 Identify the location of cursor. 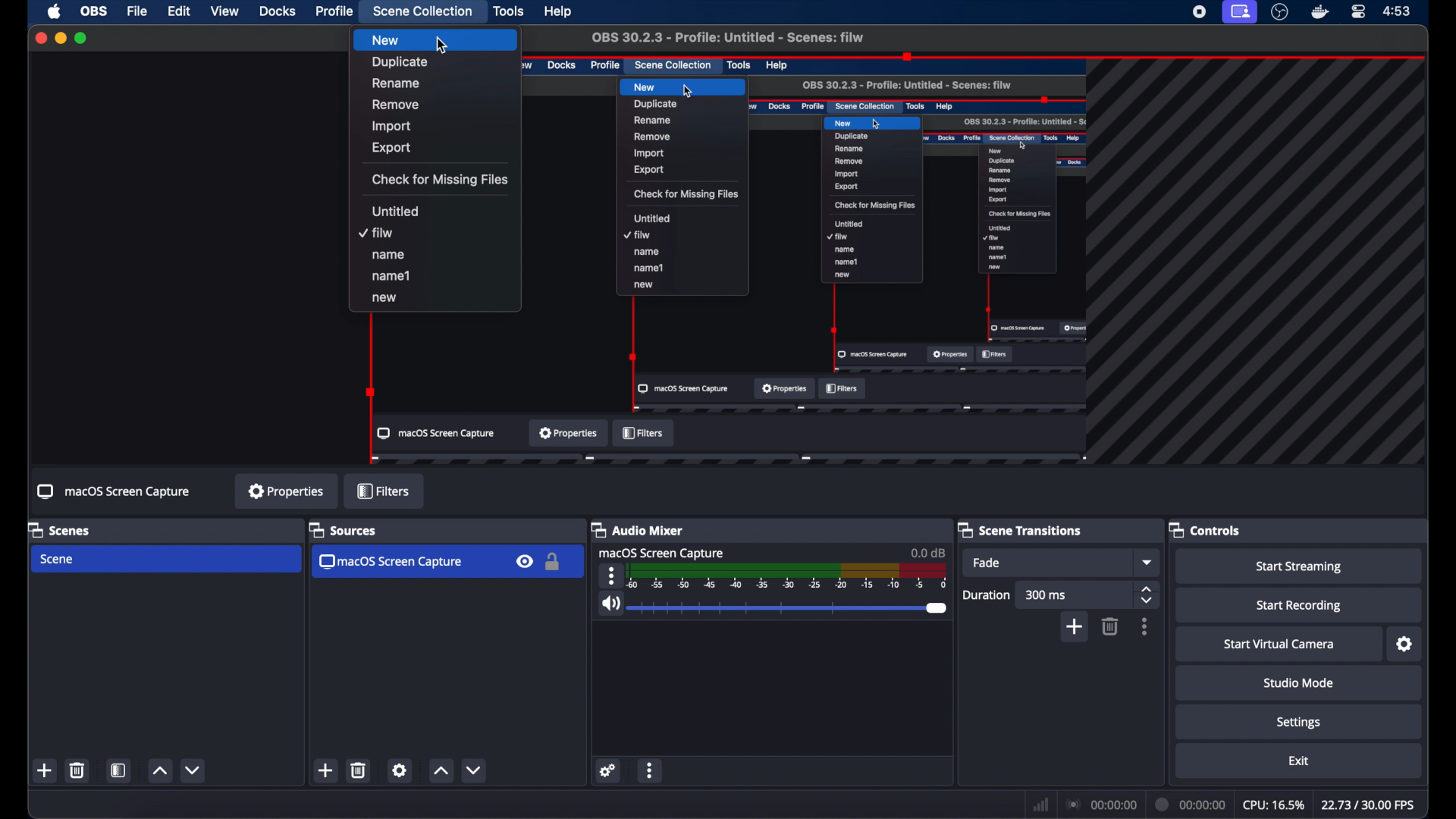
(444, 44).